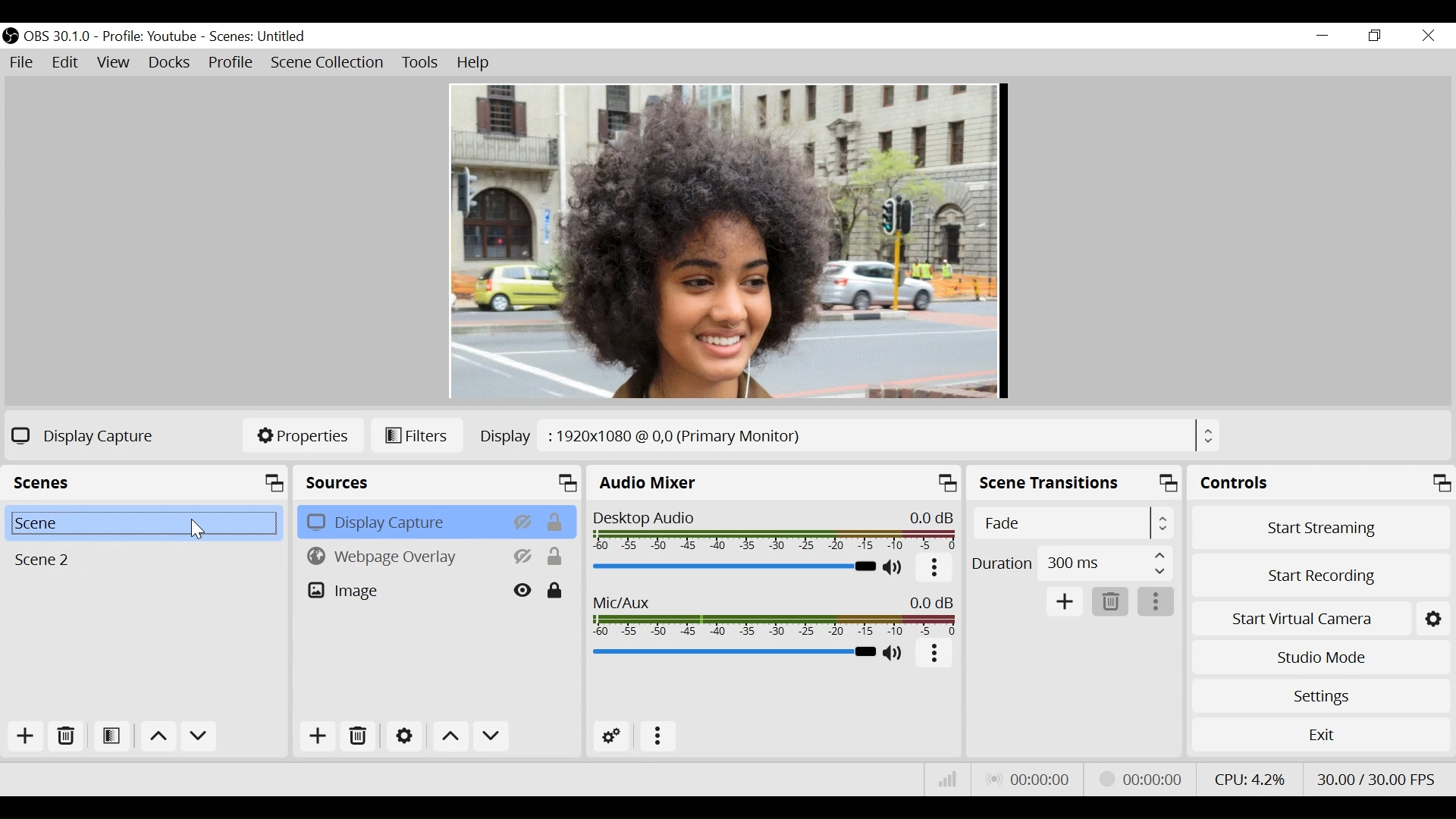  Describe the element at coordinates (402, 555) in the screenshot. I see `Webpage Overlay` at that location.